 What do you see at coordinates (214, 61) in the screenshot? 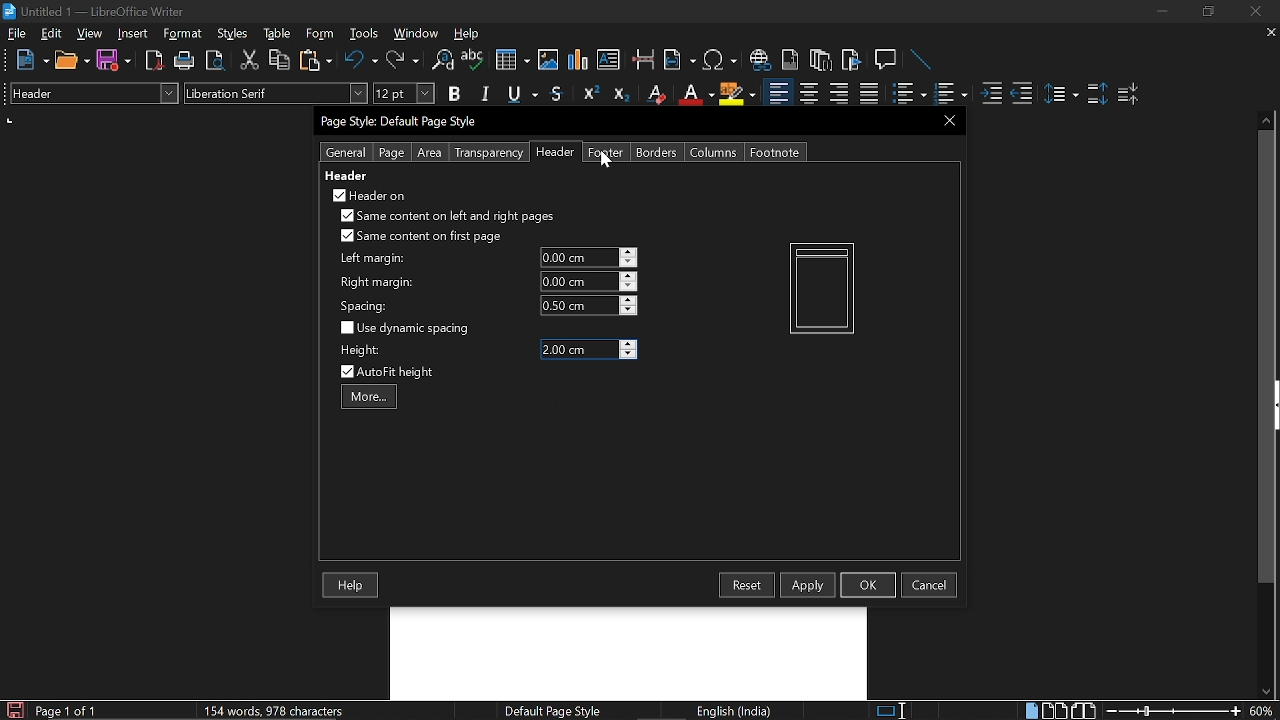
I see `Toggle preview` at bounding box center [214, 61].